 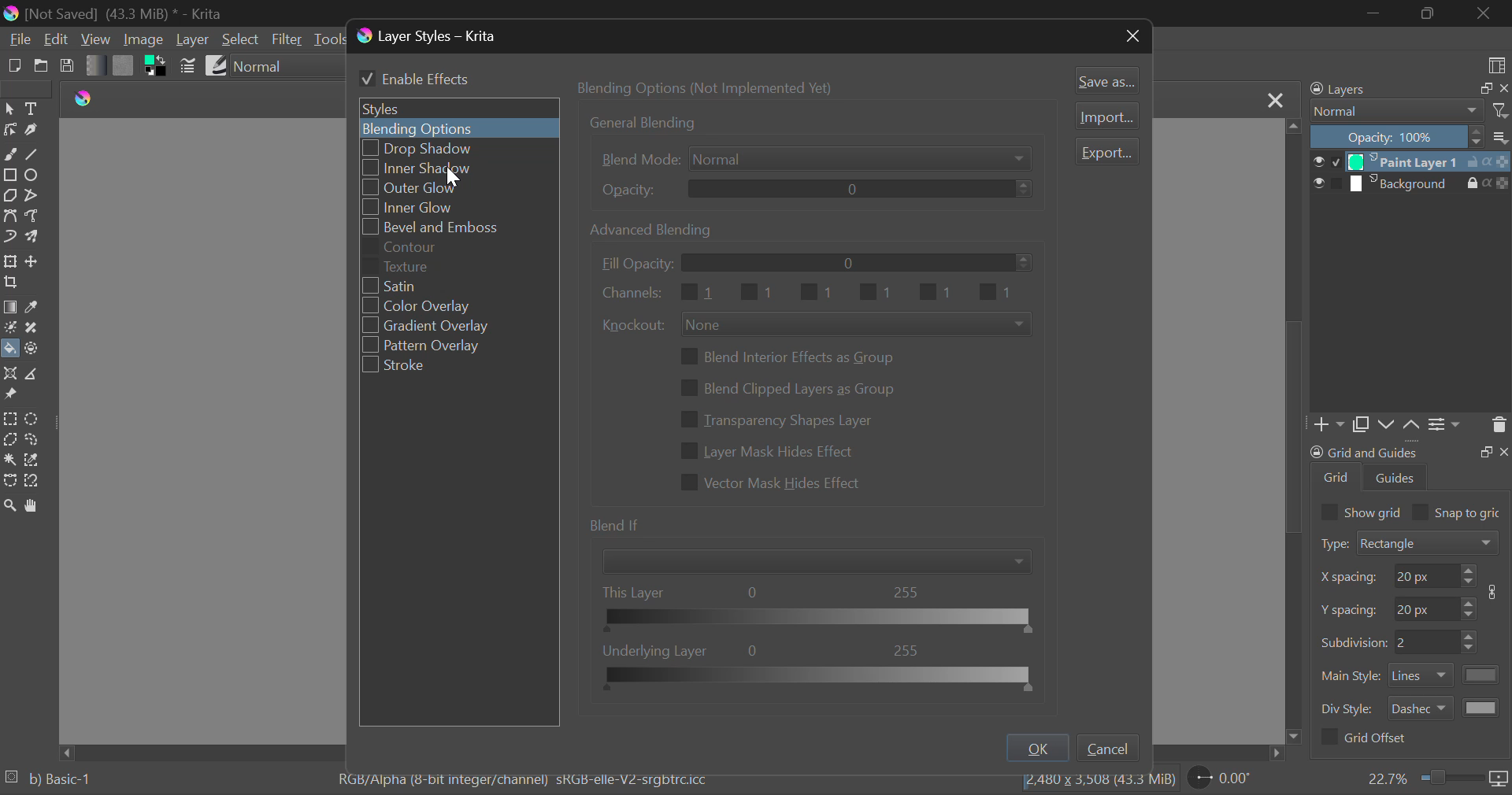 I want to click on Measurements, so click(x=34, y=373).